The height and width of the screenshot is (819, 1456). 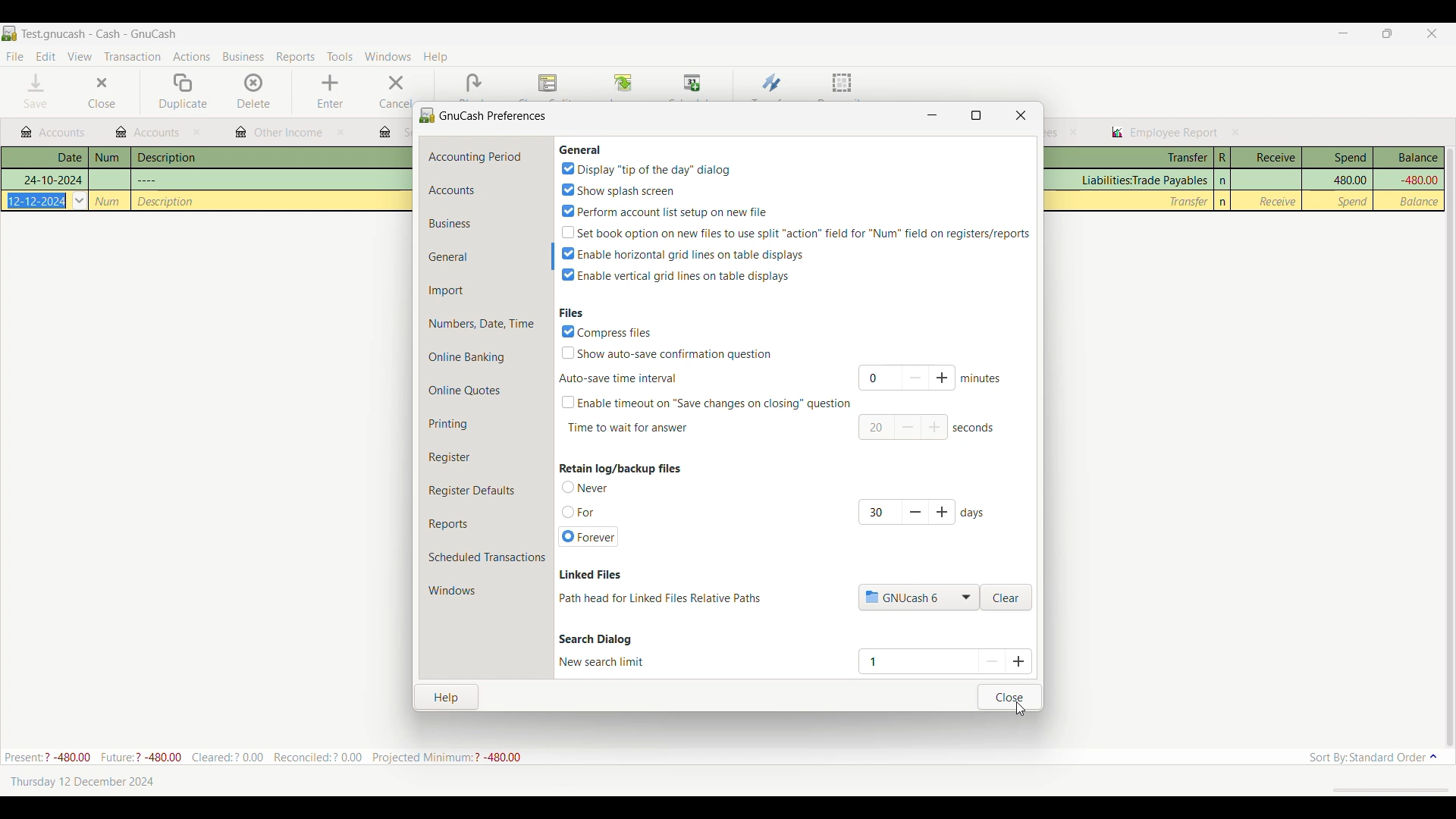 I want to click on value, so click(x=877, y=510).